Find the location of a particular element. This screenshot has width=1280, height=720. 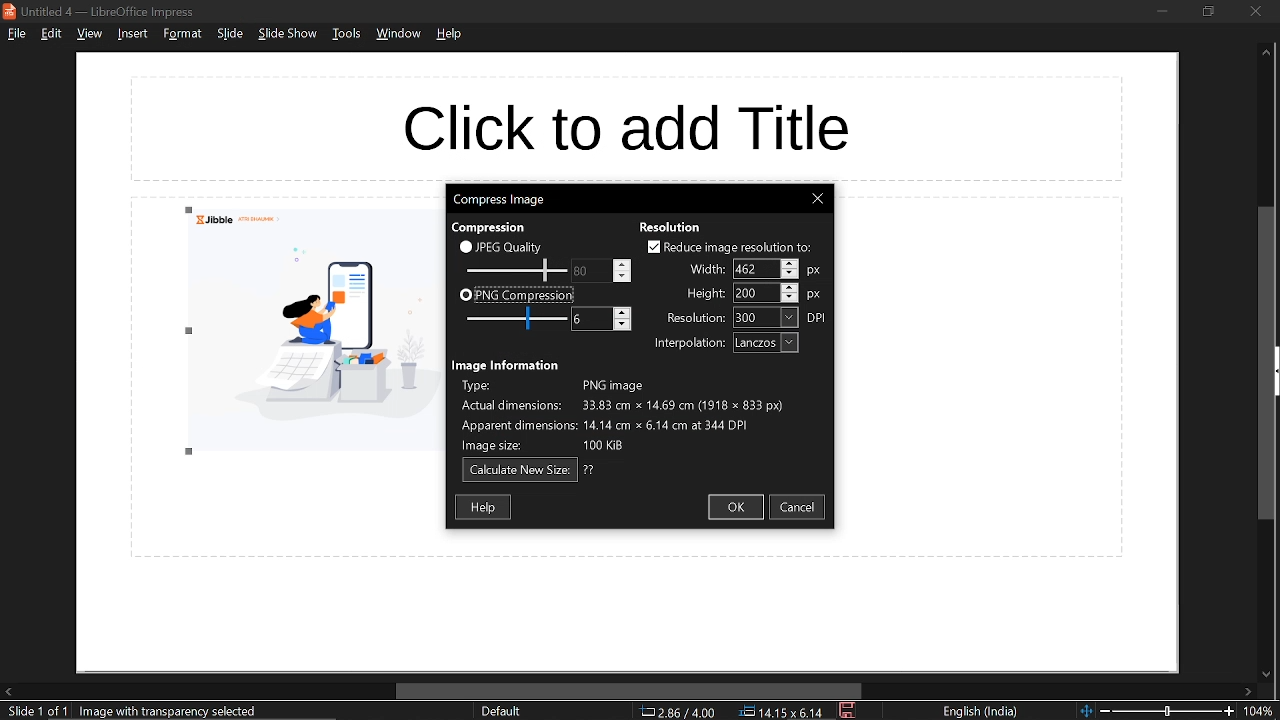

compression is located at coordinates (487, 228).